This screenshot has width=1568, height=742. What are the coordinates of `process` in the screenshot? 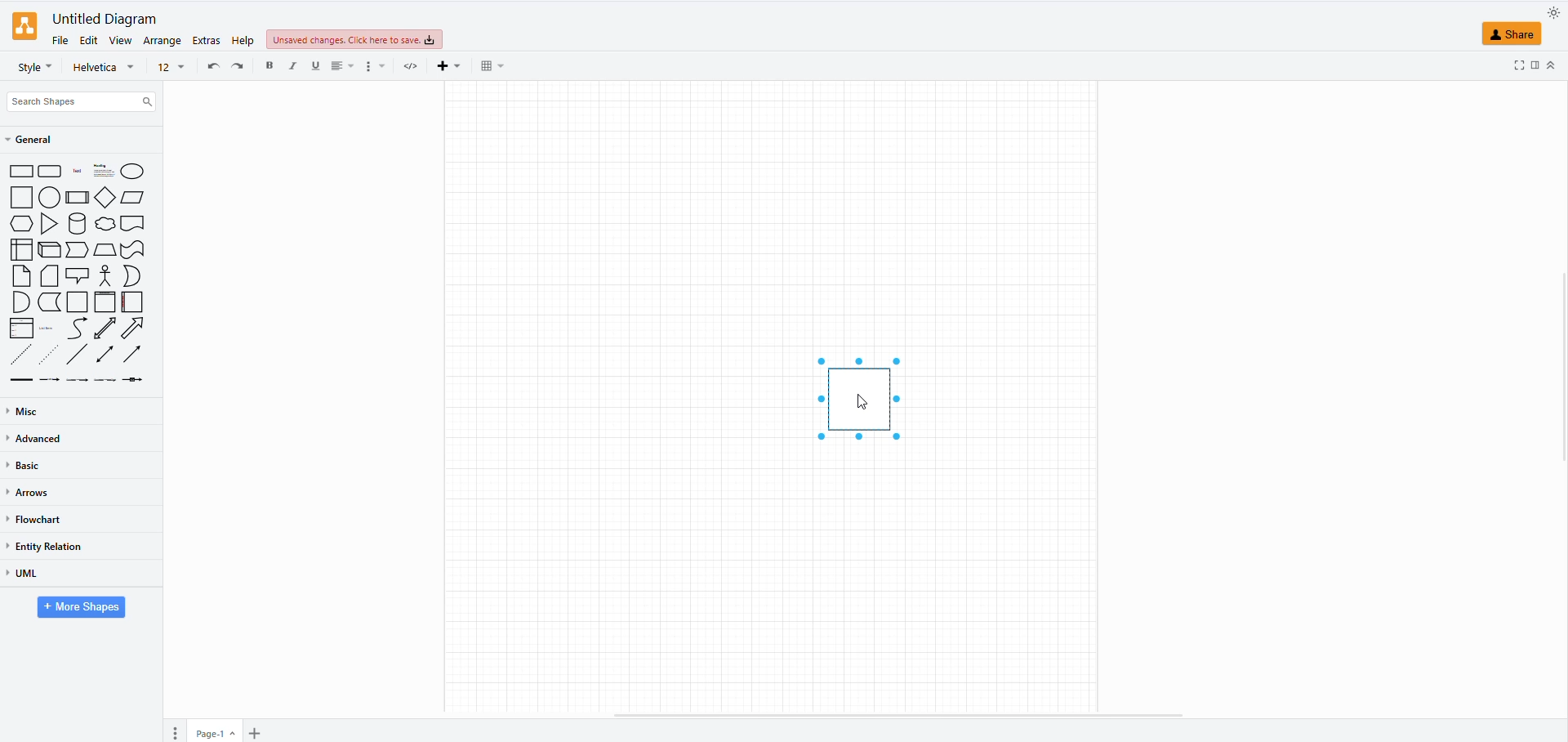 It's located at (77, 197).